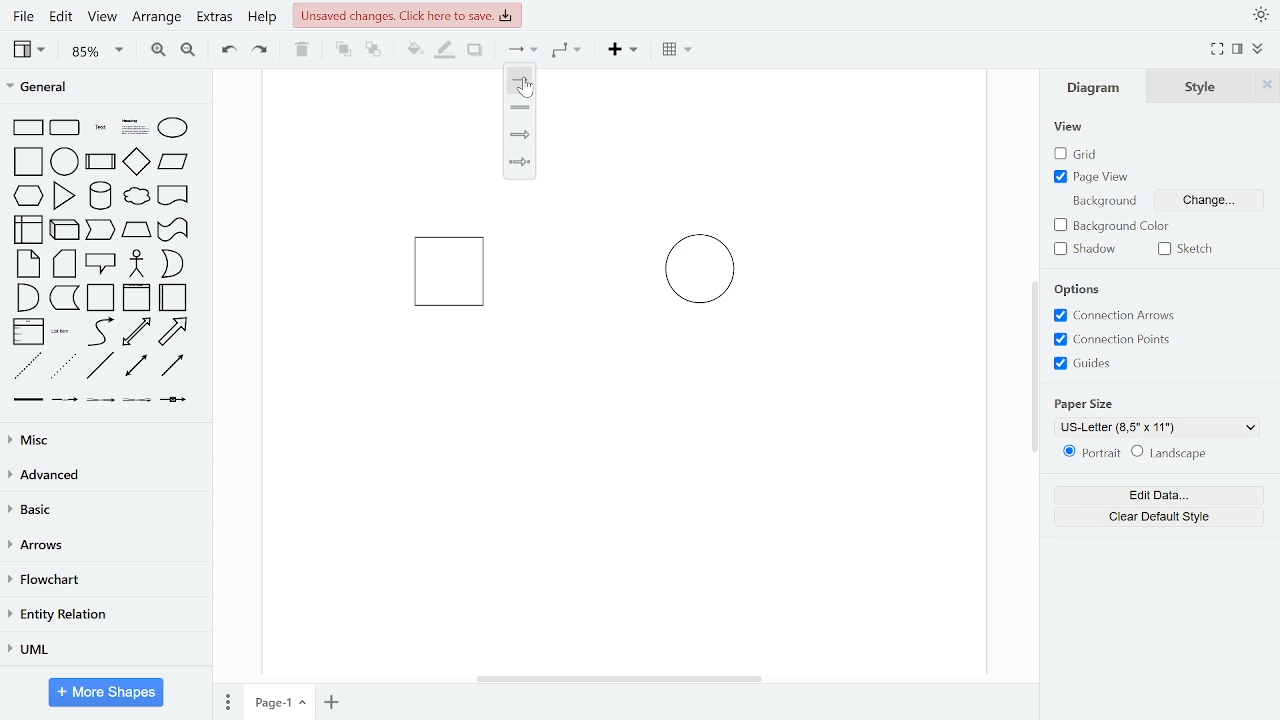 The width and height of the screenshot is (1280, 720). Describe the element at coordinates (1102, 200) in the screenshot. I see `background` at that location.